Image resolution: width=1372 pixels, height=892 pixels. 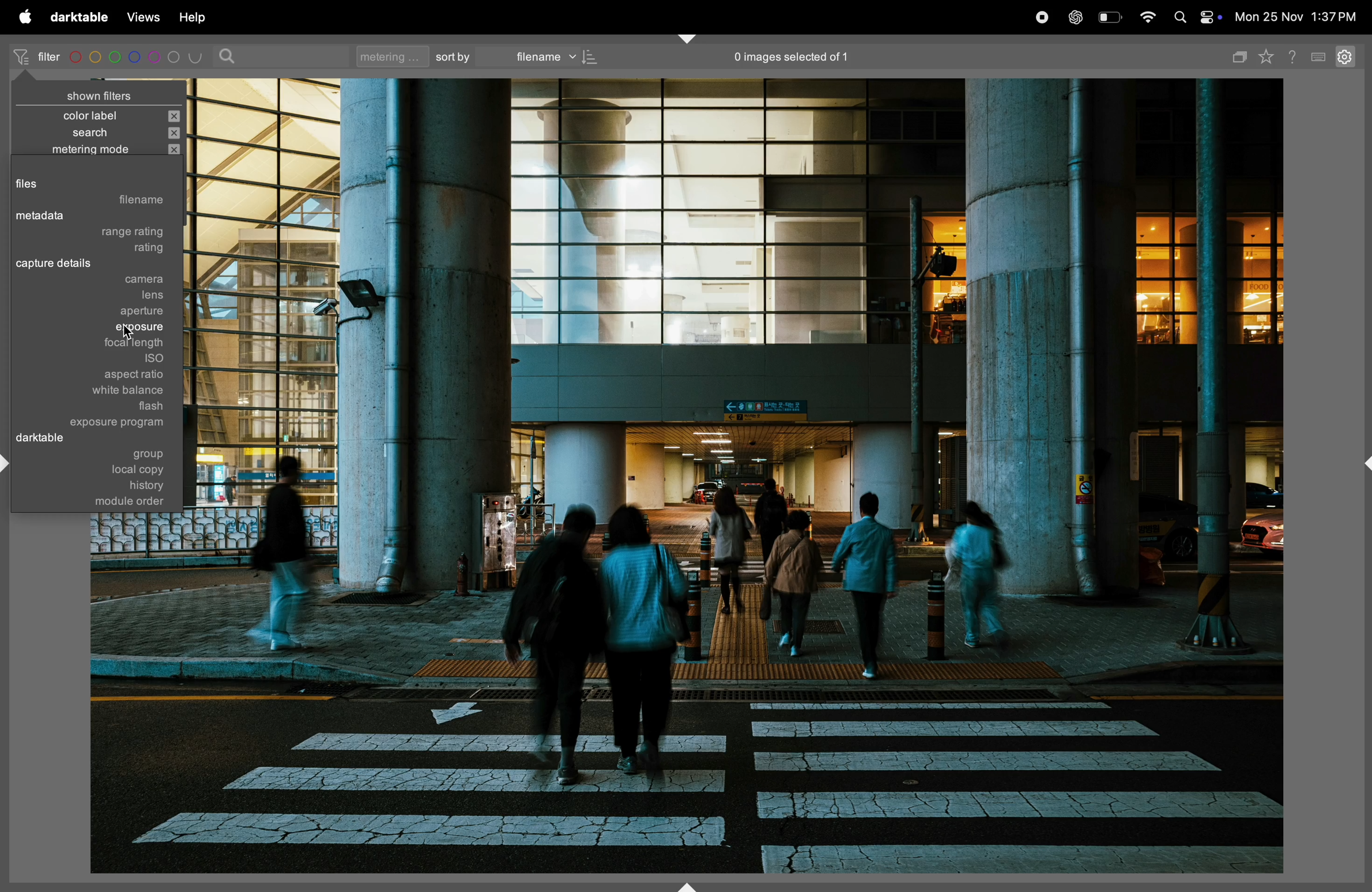 What do you see at coordinates (103, 89) in the screenshot?
I see `shown filters` at bounding box center [103, 89].